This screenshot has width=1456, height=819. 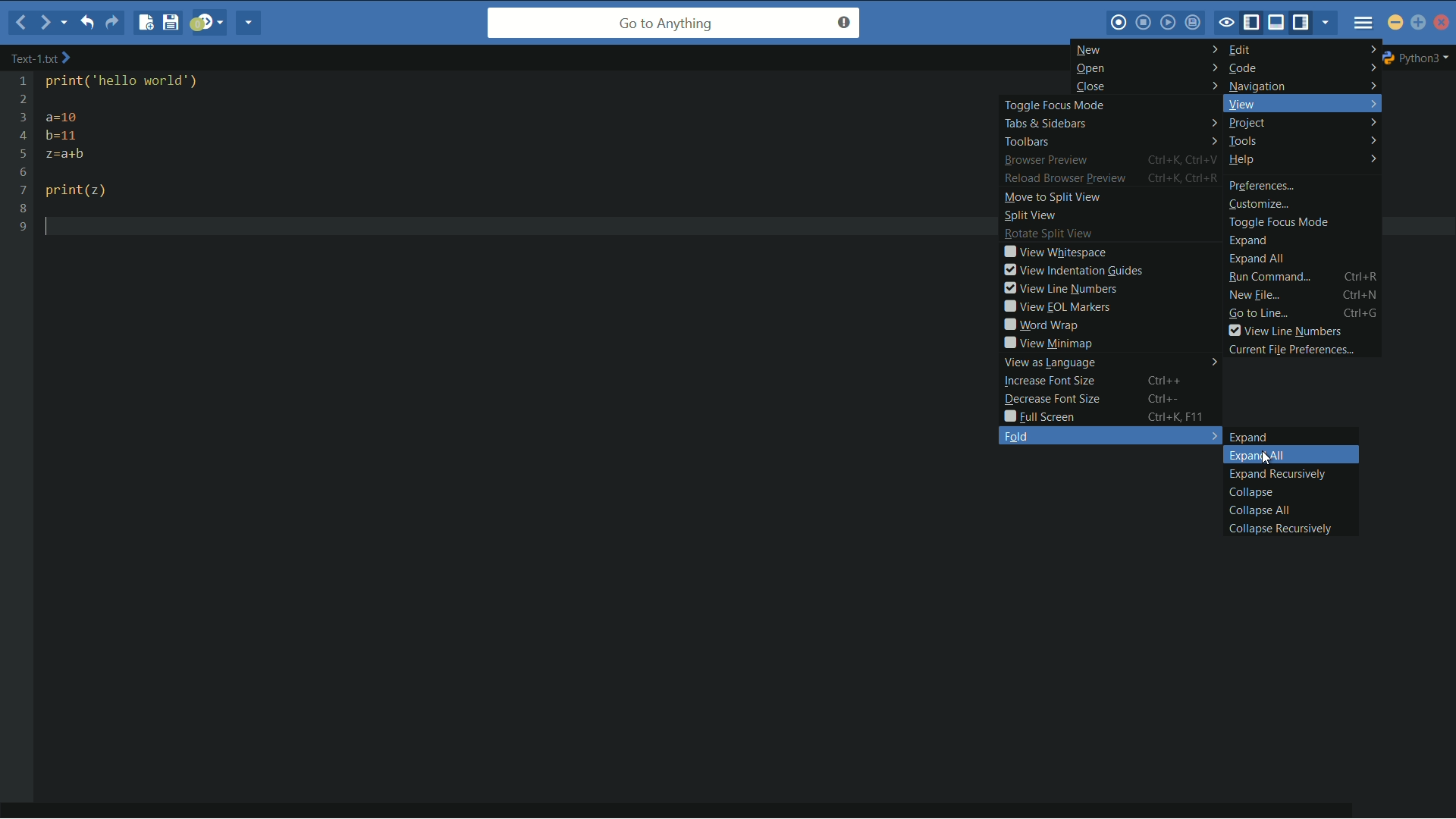 What do you see at coordinates (1255, 510) in the screenshot?
I see `collapse all` at bounding box center [1255, 510].